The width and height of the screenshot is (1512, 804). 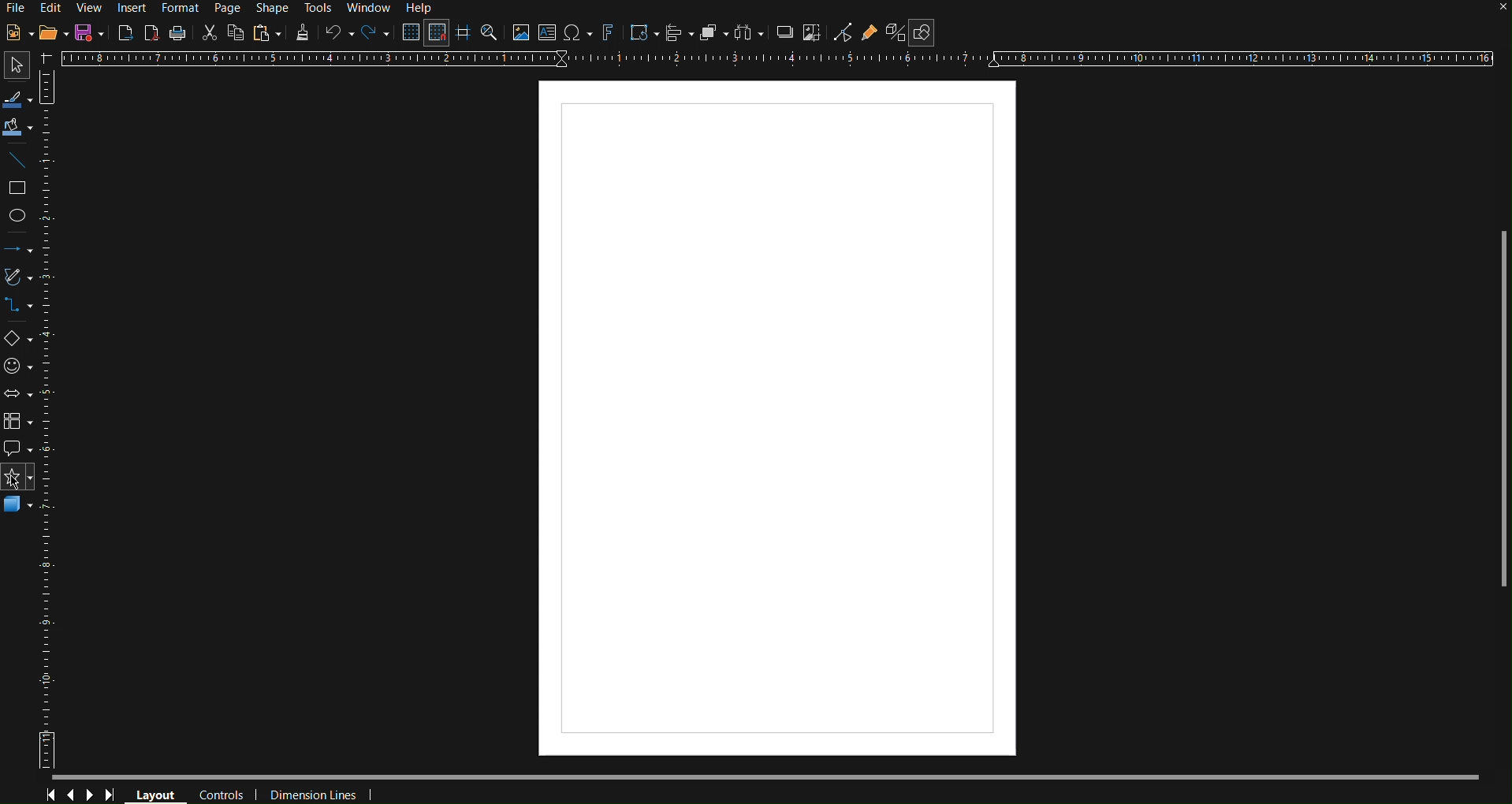 What do you see at coordinates (22, 217) in the screenshot?
I see `Ellipse` at bounding box center [22, 217].